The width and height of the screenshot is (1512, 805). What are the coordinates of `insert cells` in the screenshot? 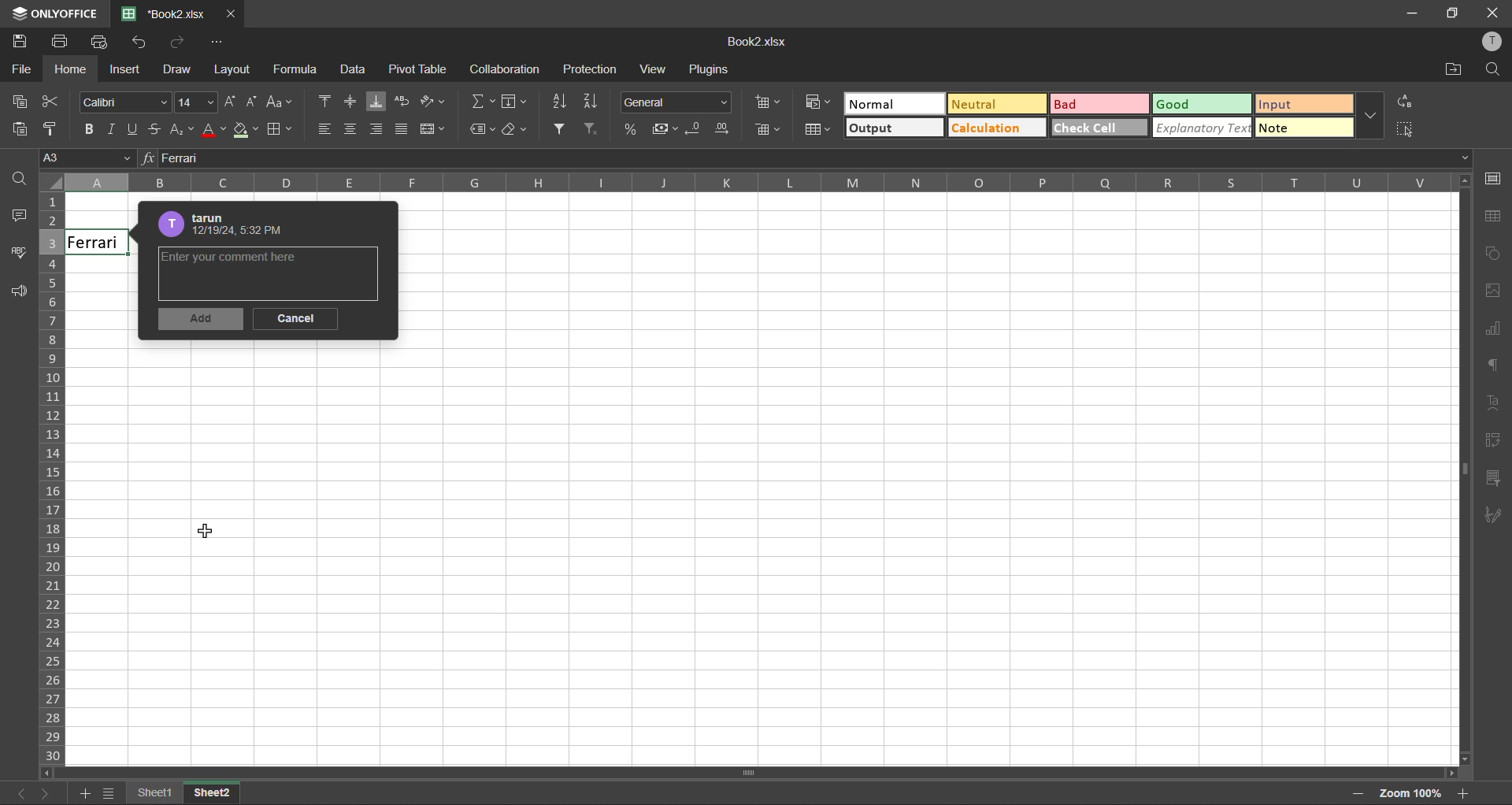 It's located at (768, 101).